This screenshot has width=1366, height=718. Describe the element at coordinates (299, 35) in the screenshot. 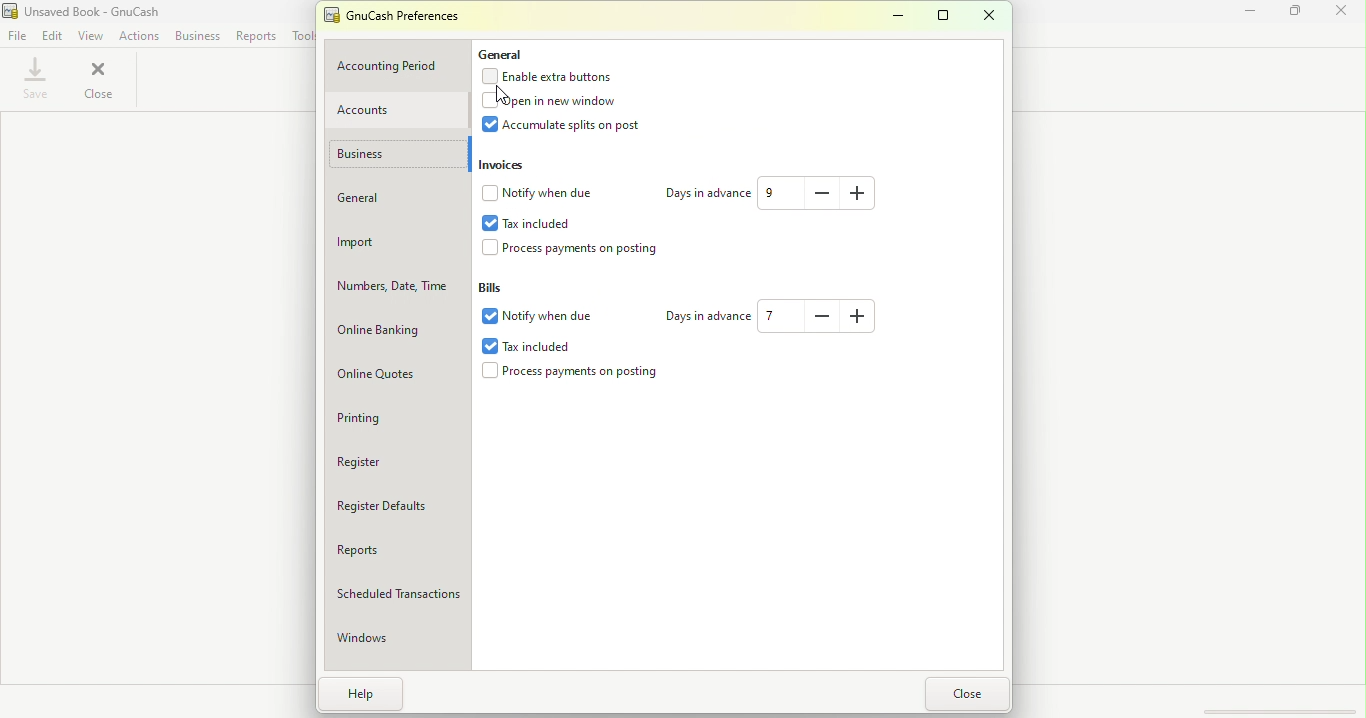

I see `Tools` at that location.